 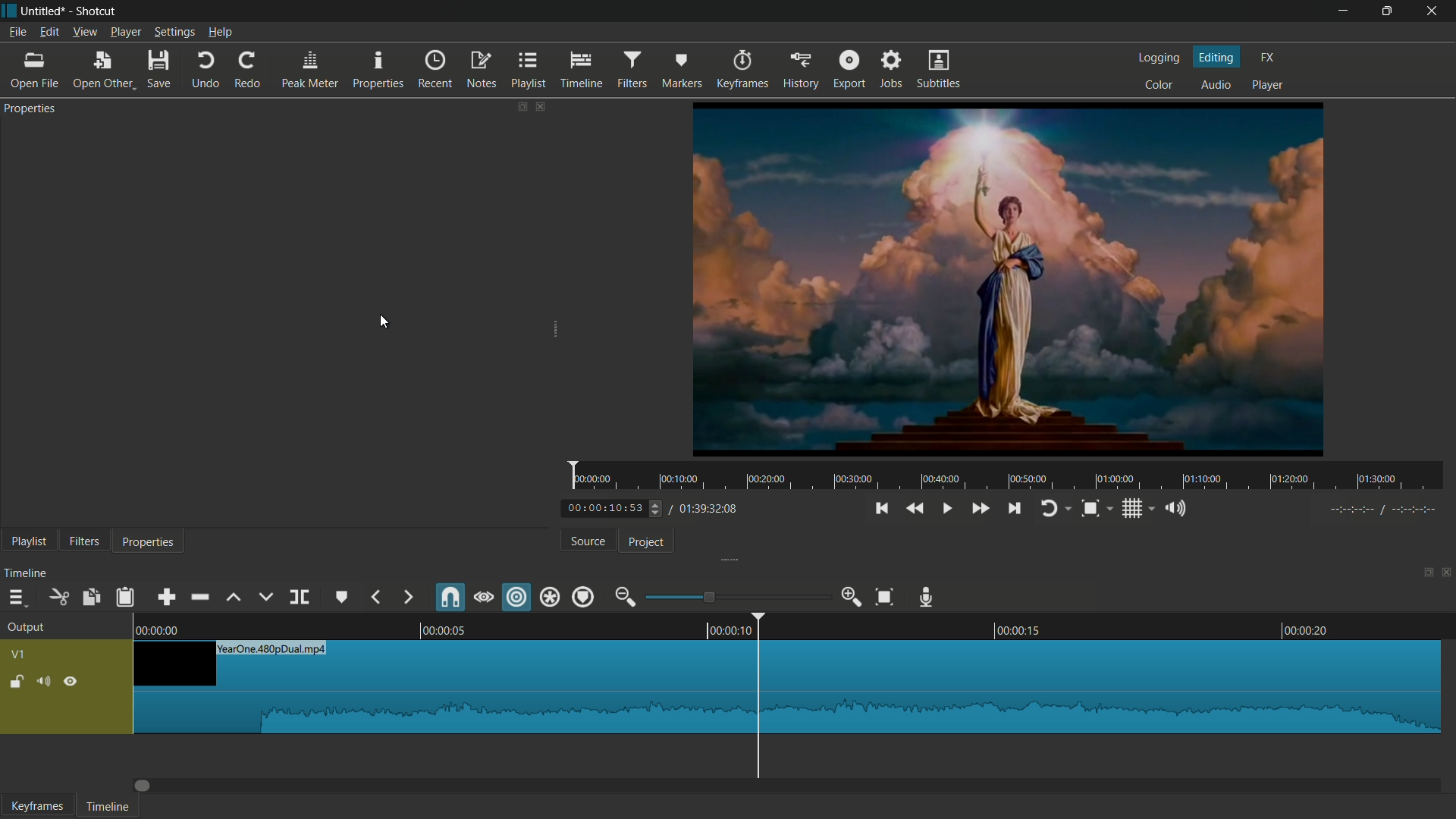 I want to click on timeline, so click(x=582, y=69).